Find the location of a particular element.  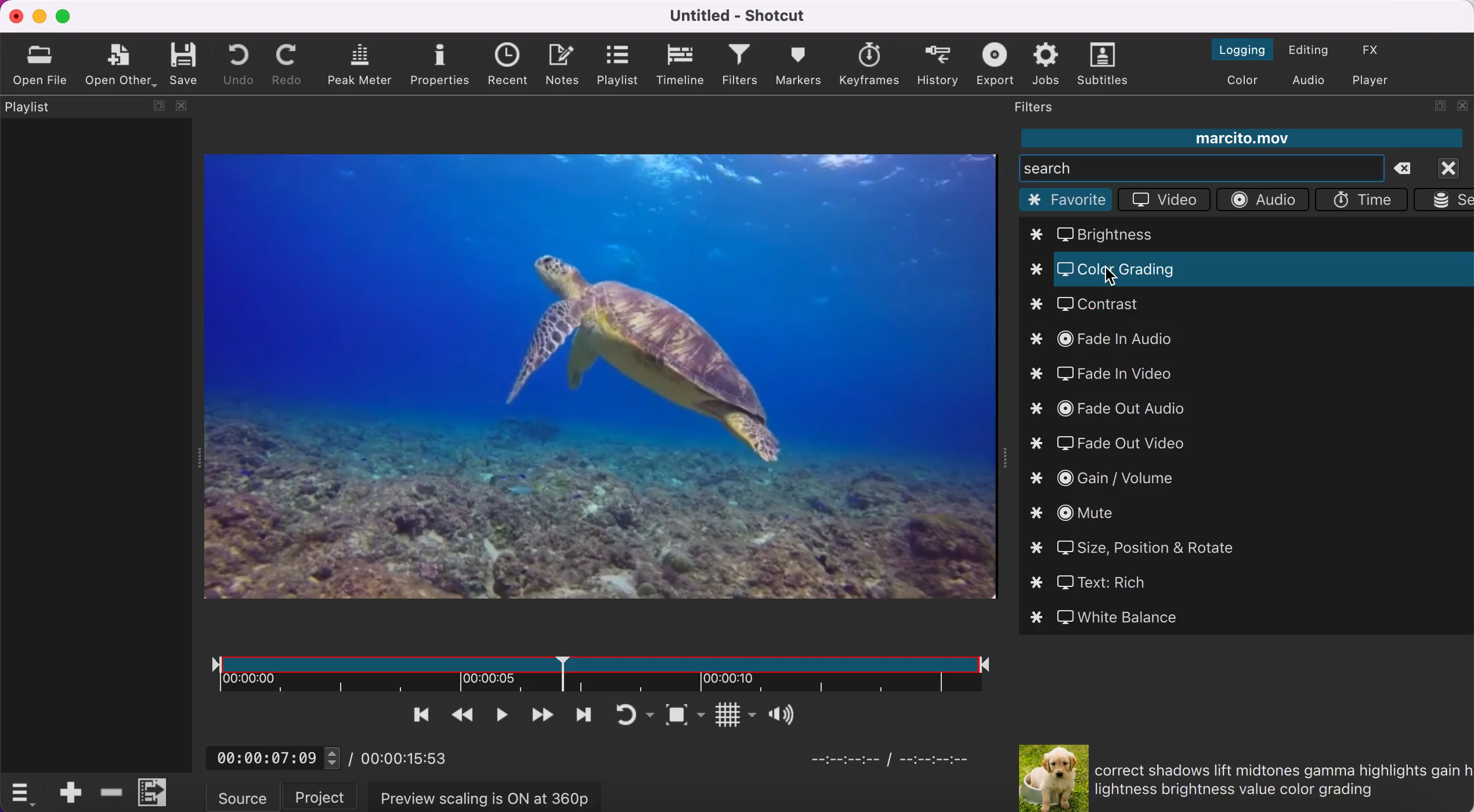

filters panel is located at coordinates (1045, 108).